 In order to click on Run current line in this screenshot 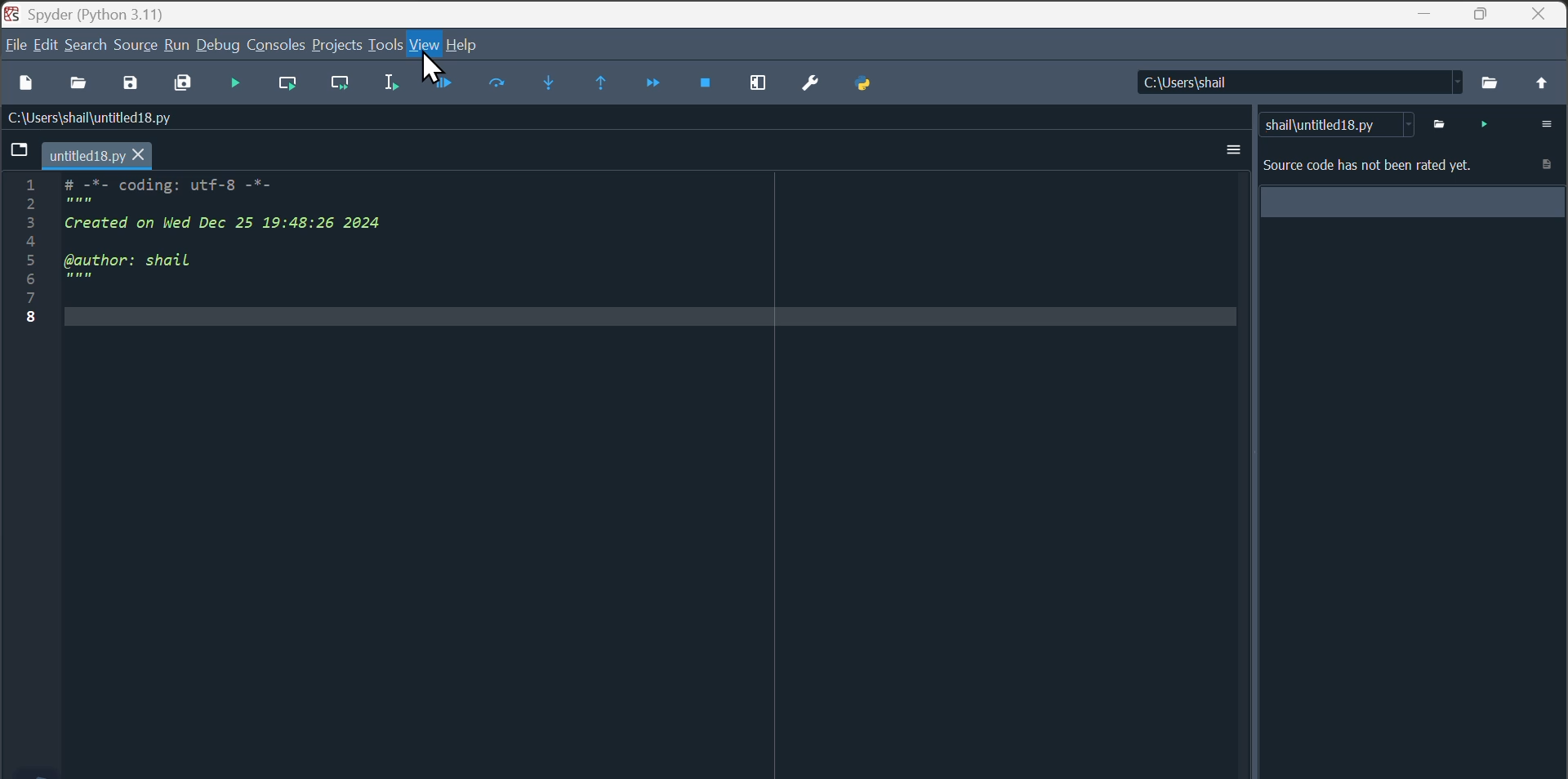, I will do `click(498, 89)`.